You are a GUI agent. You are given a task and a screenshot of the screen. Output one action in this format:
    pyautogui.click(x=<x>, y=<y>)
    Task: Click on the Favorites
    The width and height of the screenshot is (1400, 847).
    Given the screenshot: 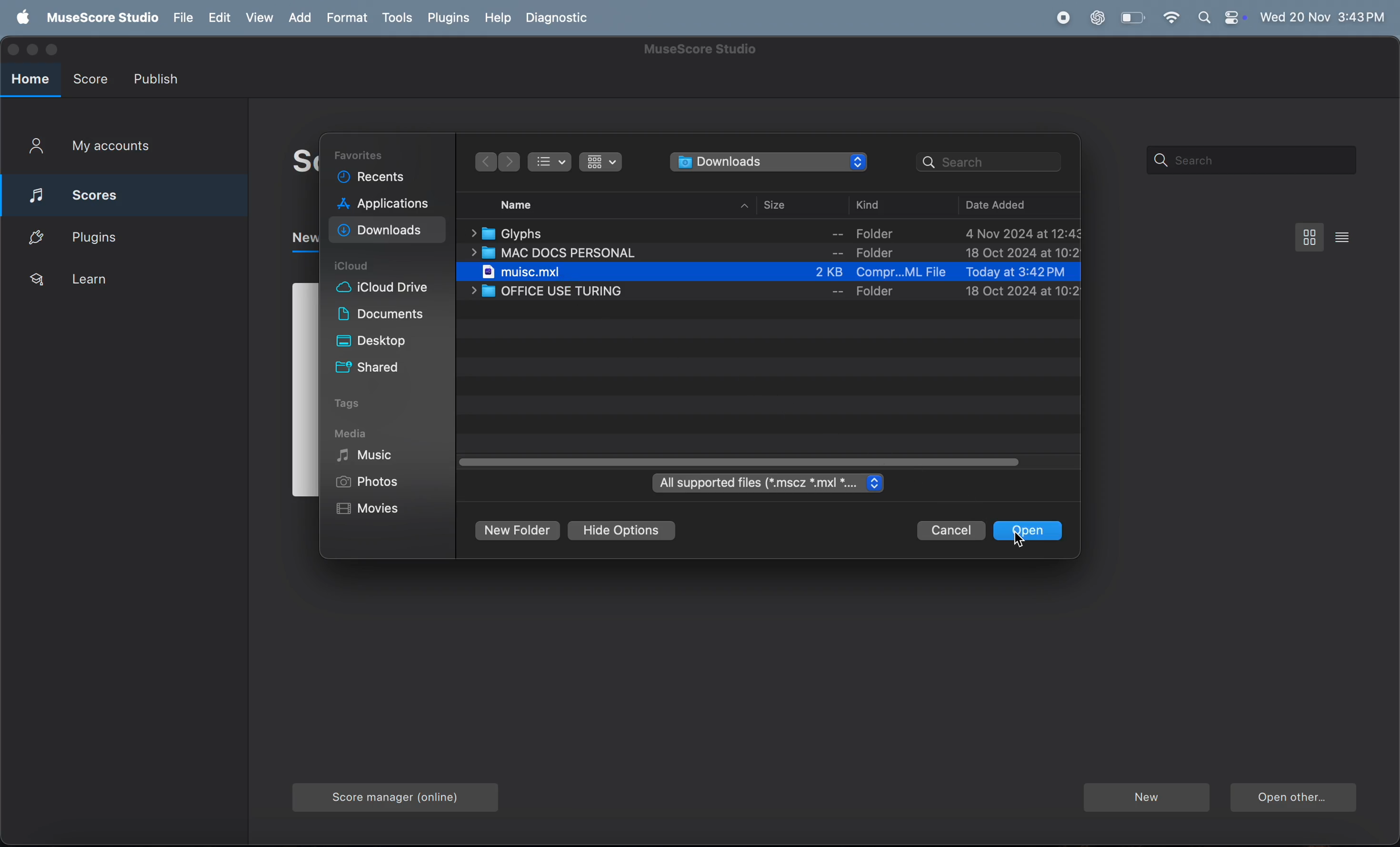 What is the action you would take?
    pyautogui.click(x=364, y=155)
    